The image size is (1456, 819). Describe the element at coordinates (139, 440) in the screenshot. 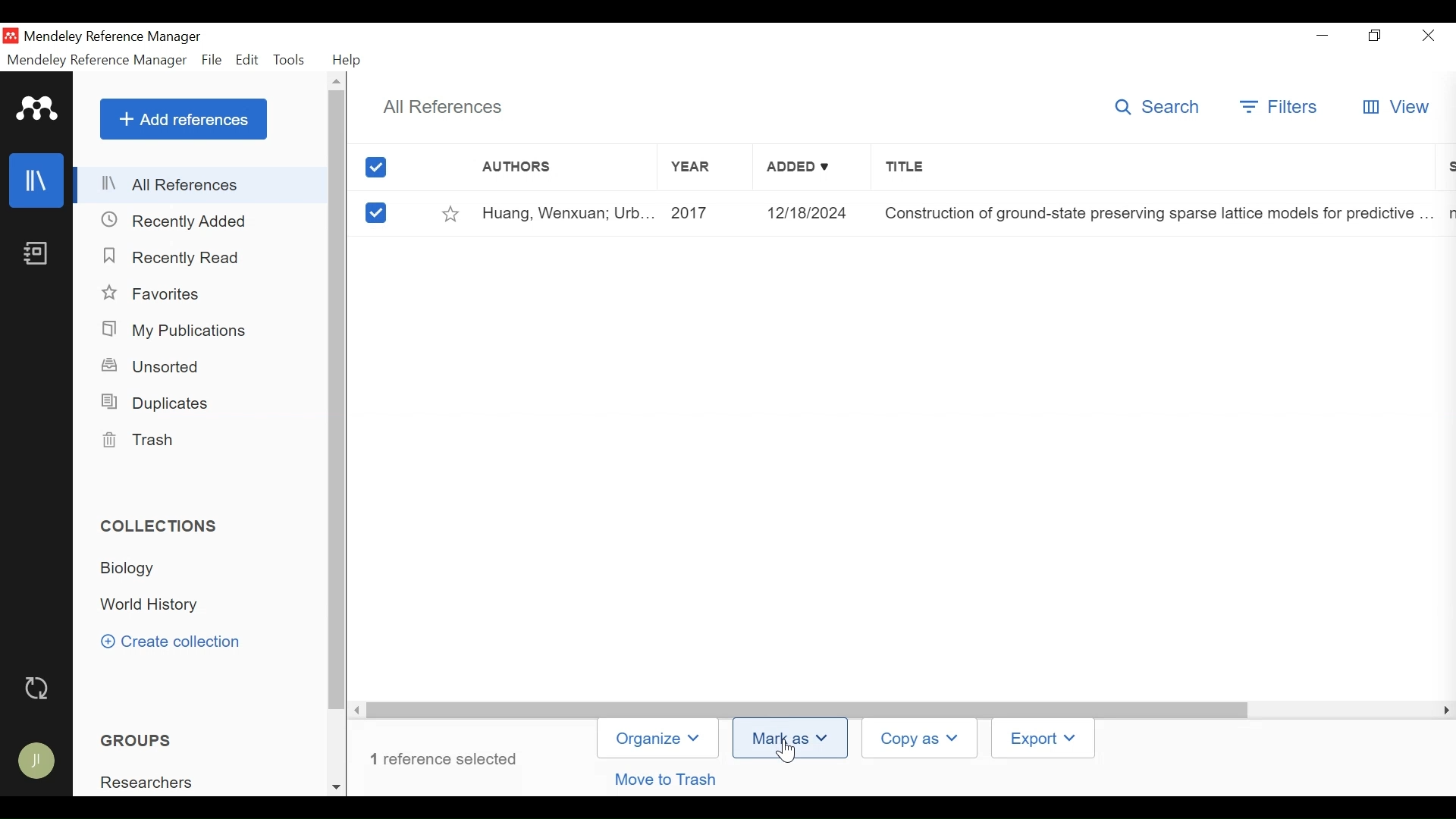

I see `Trash` at that location.